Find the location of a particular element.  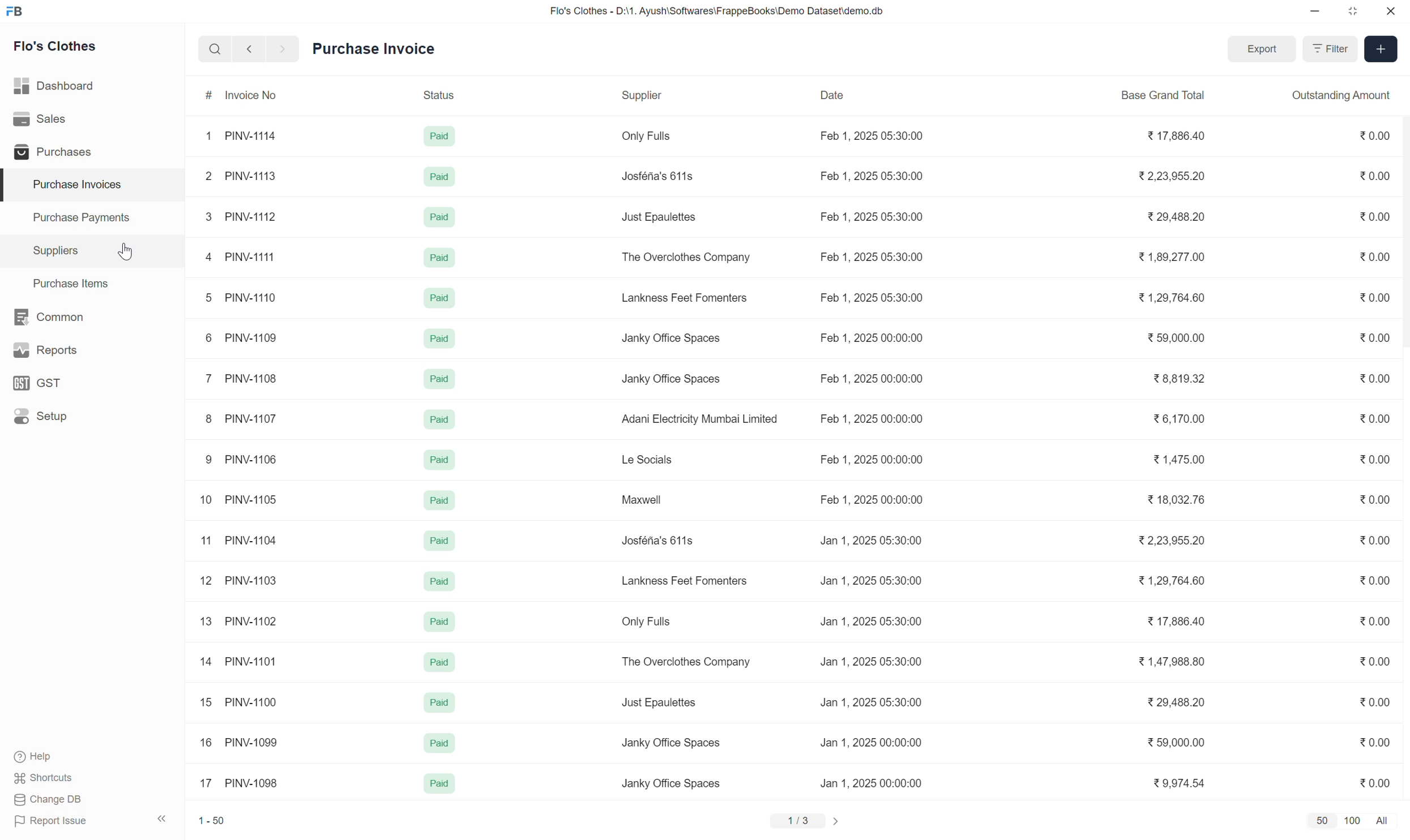

1,47,988.80 is located at coordinates (1171, 661).